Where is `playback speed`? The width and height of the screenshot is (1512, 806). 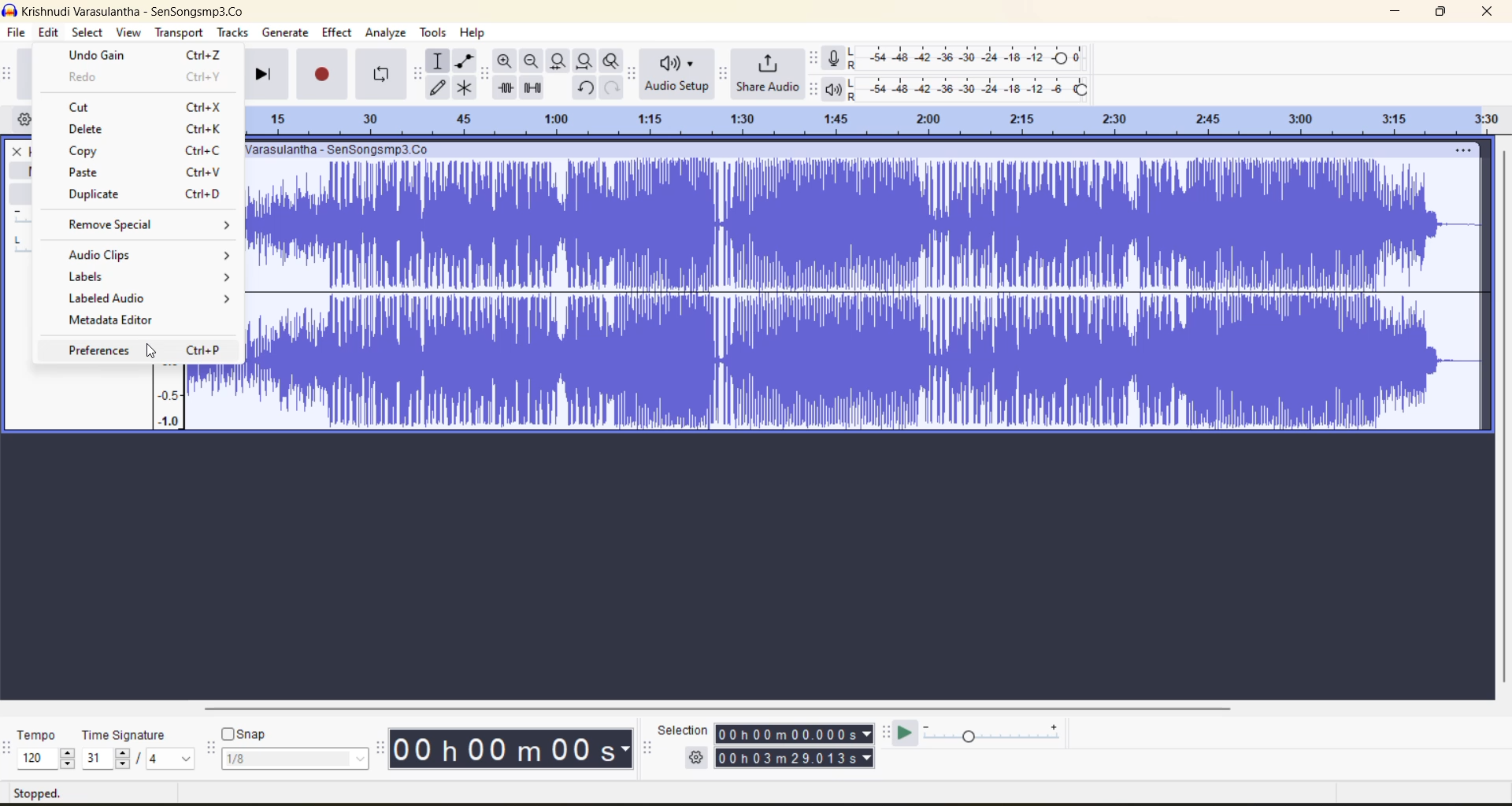
playback speed is located at coordinates (993, 732).